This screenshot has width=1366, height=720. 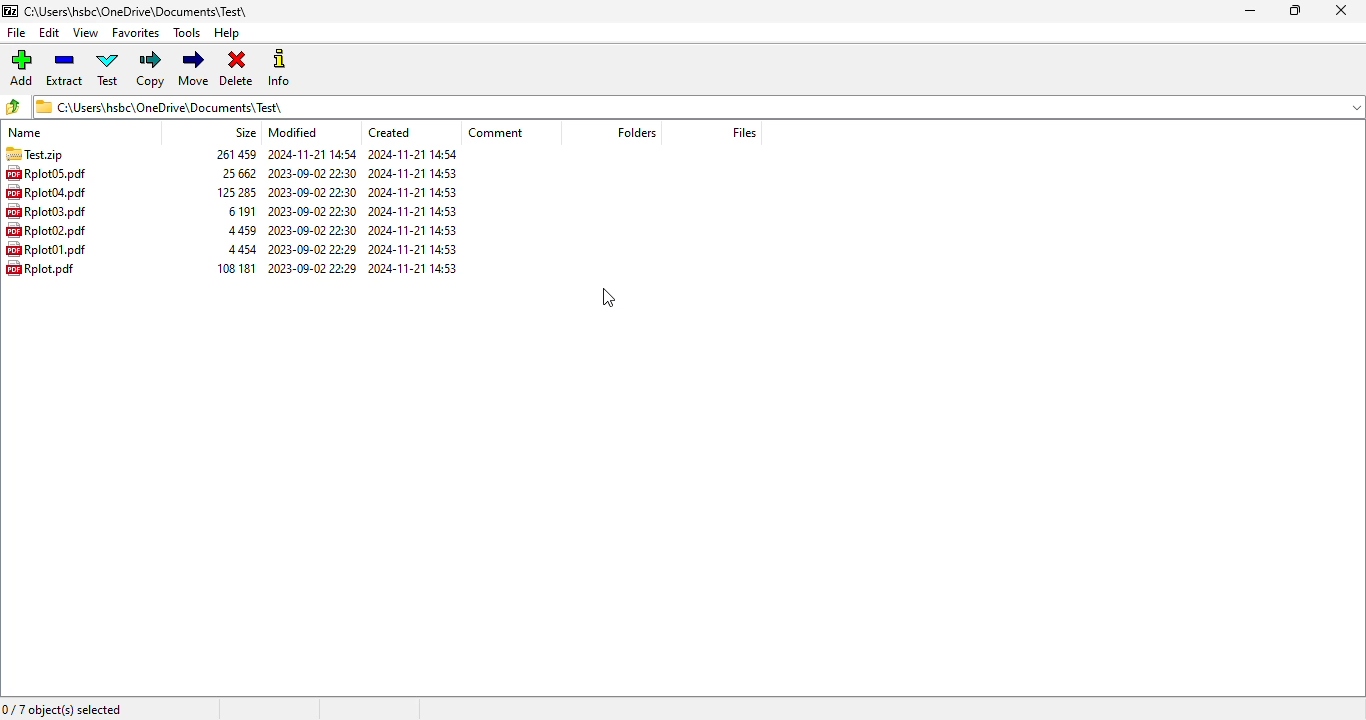 What do you see at coordinates (293, 132) in the screenshot?
I see `modified` at bounding box center [293, 132].